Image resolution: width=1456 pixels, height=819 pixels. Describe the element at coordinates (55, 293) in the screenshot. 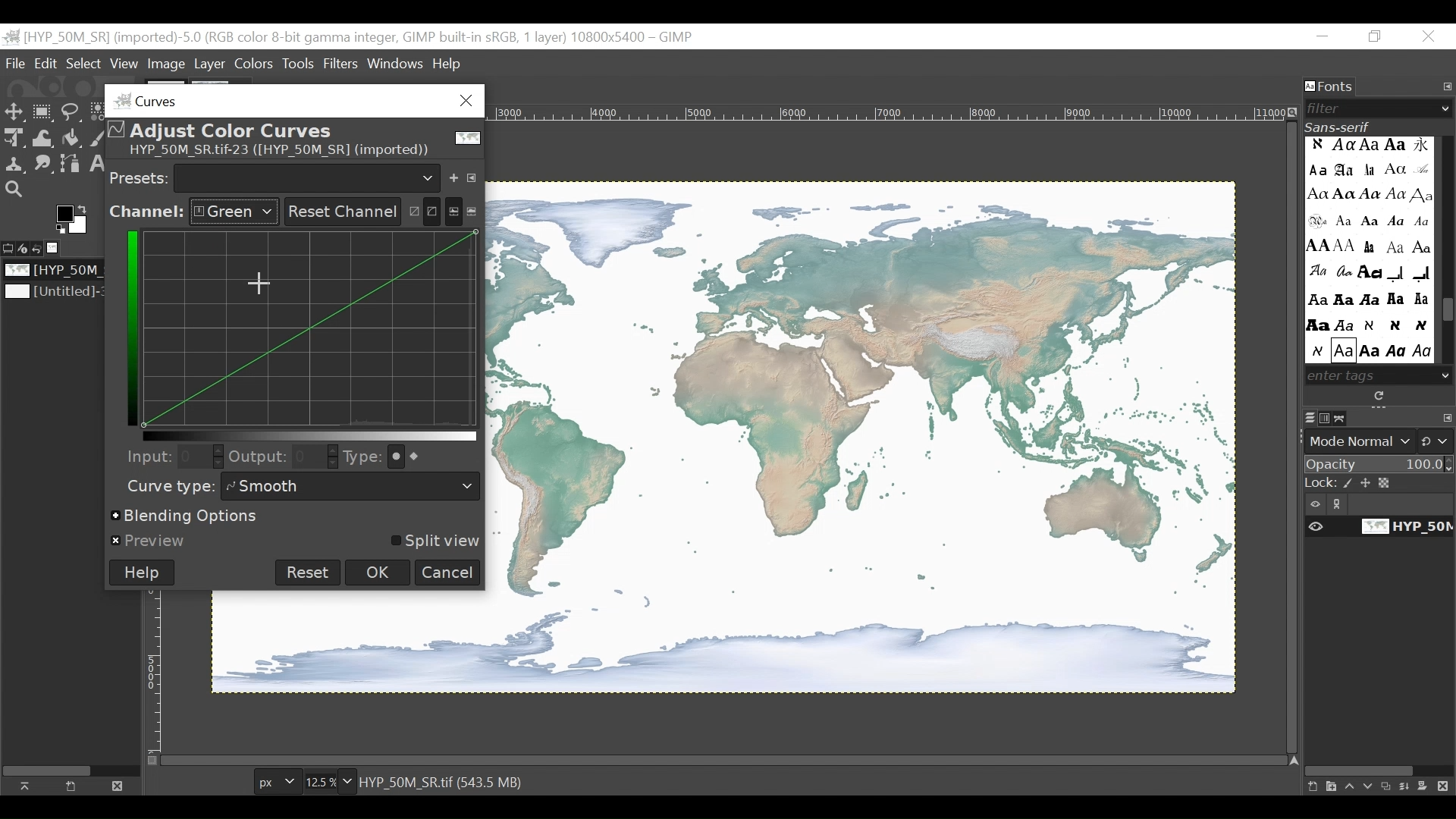

I see `Image` at that location.